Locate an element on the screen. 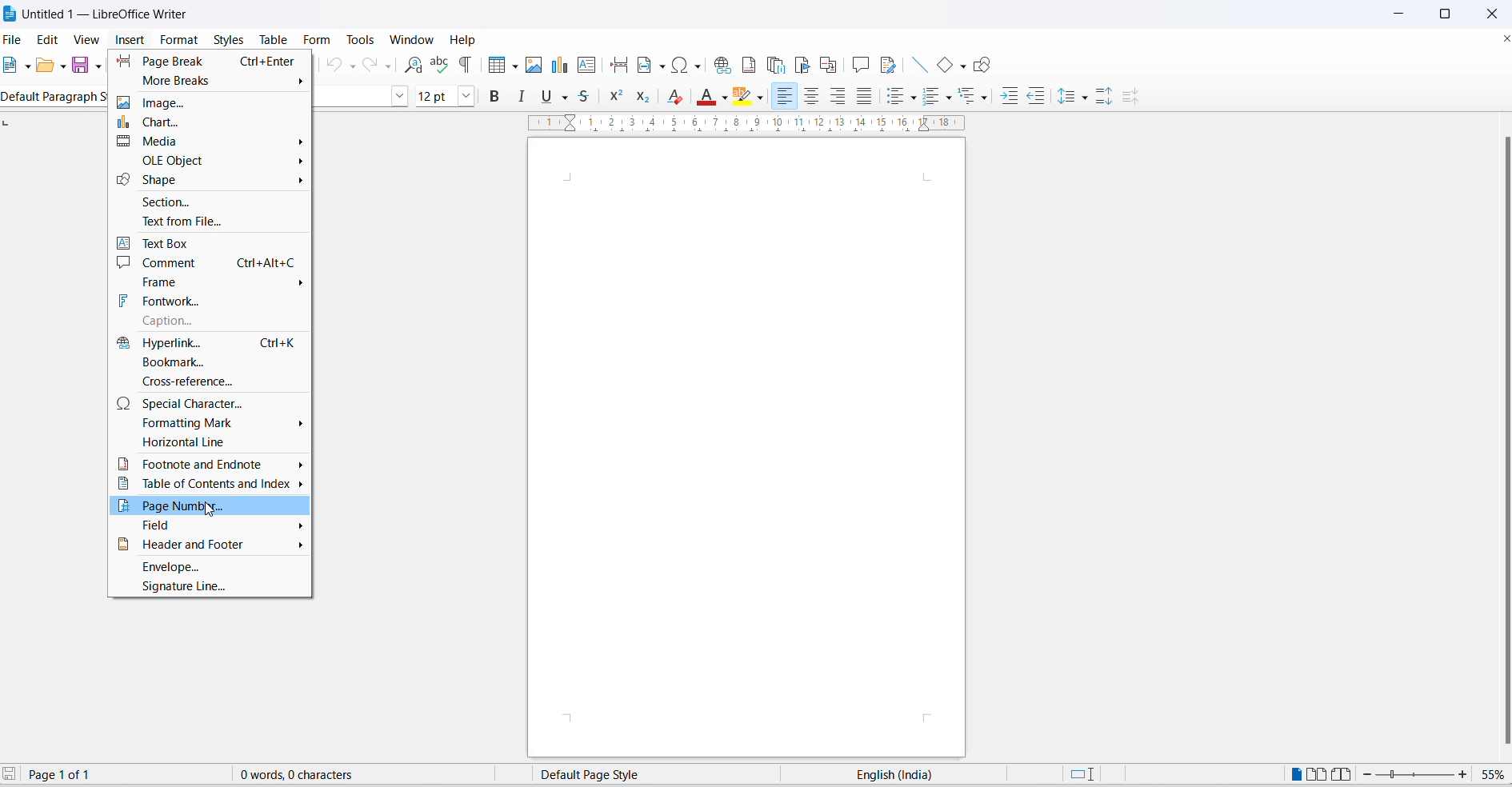  bold is located at coordinates (494, 95).